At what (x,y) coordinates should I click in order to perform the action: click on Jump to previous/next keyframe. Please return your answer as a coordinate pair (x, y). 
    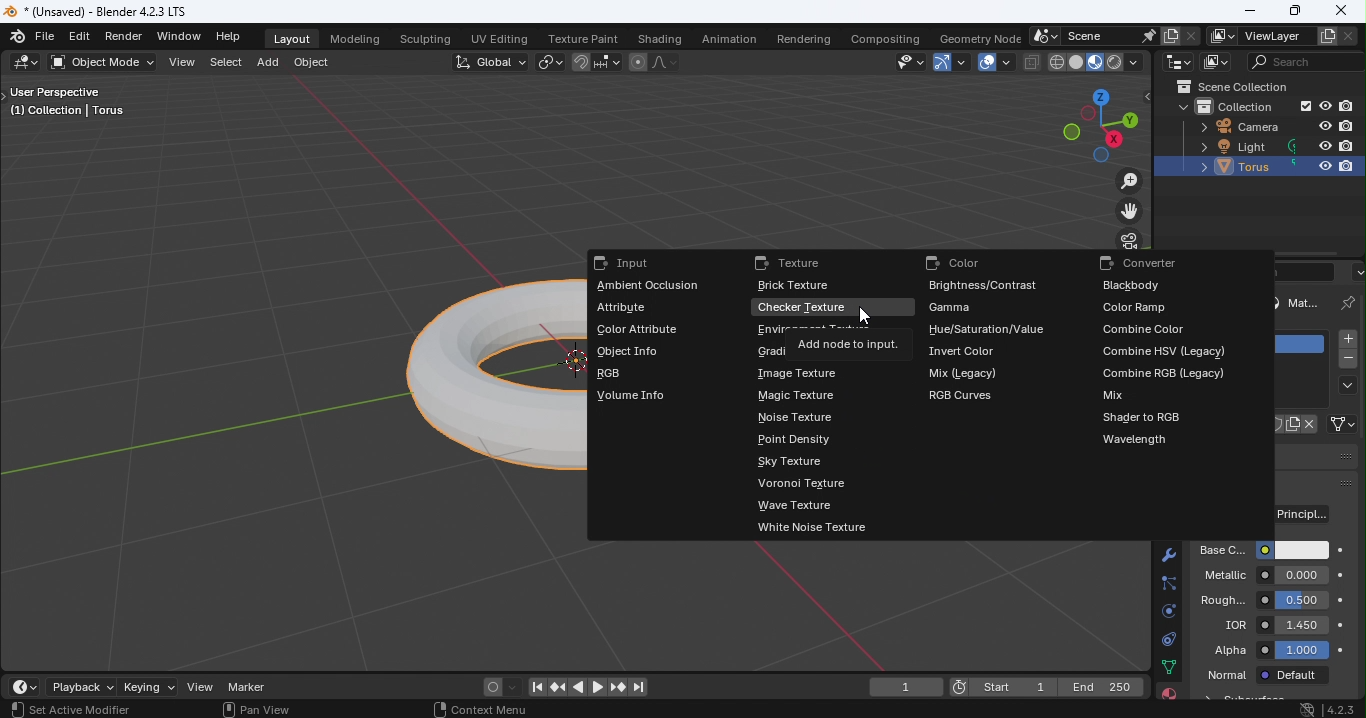
    Looking at the image, I should click on (617, 689).